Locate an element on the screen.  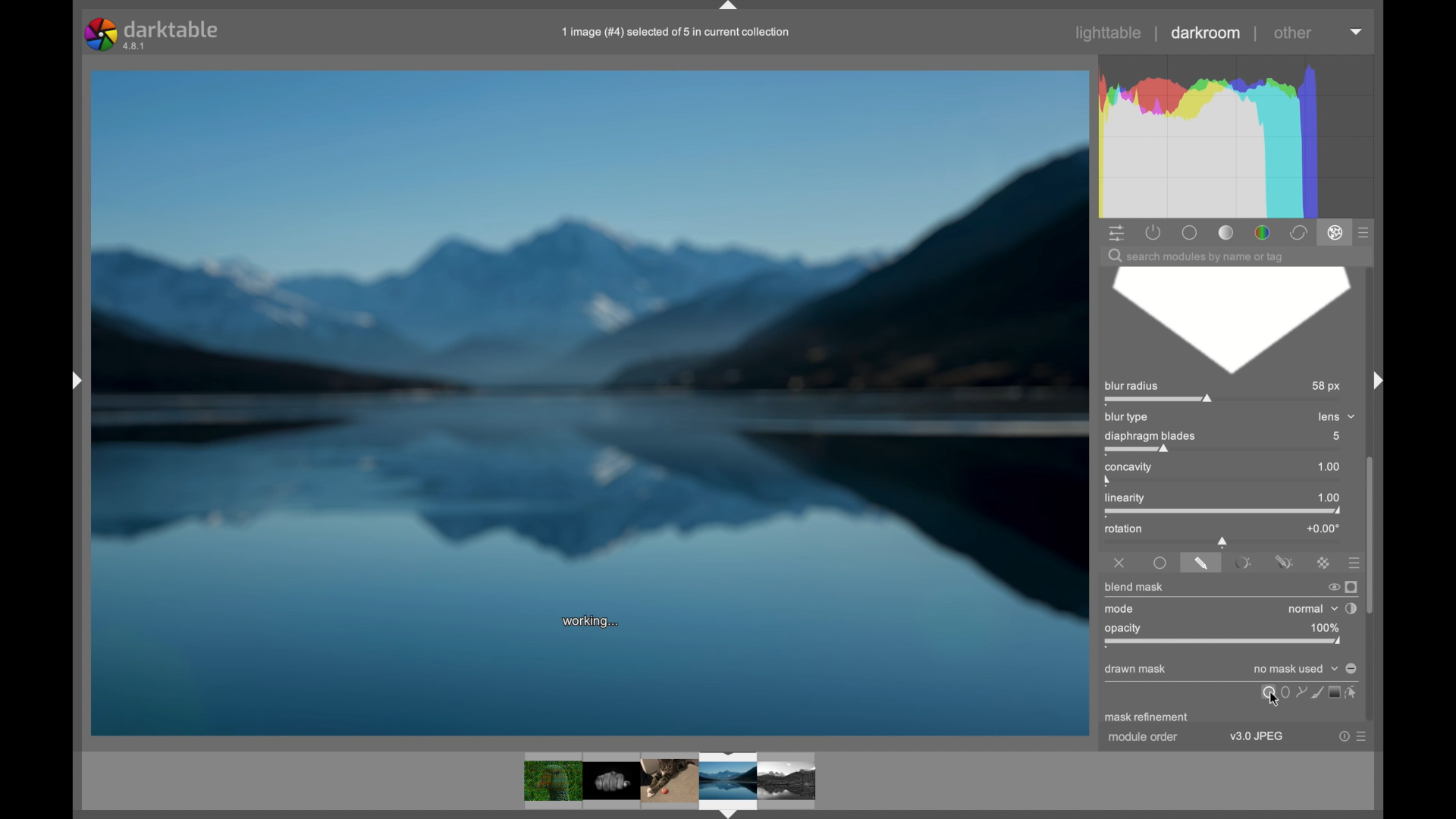
off is located at coordinates (1119, 560).